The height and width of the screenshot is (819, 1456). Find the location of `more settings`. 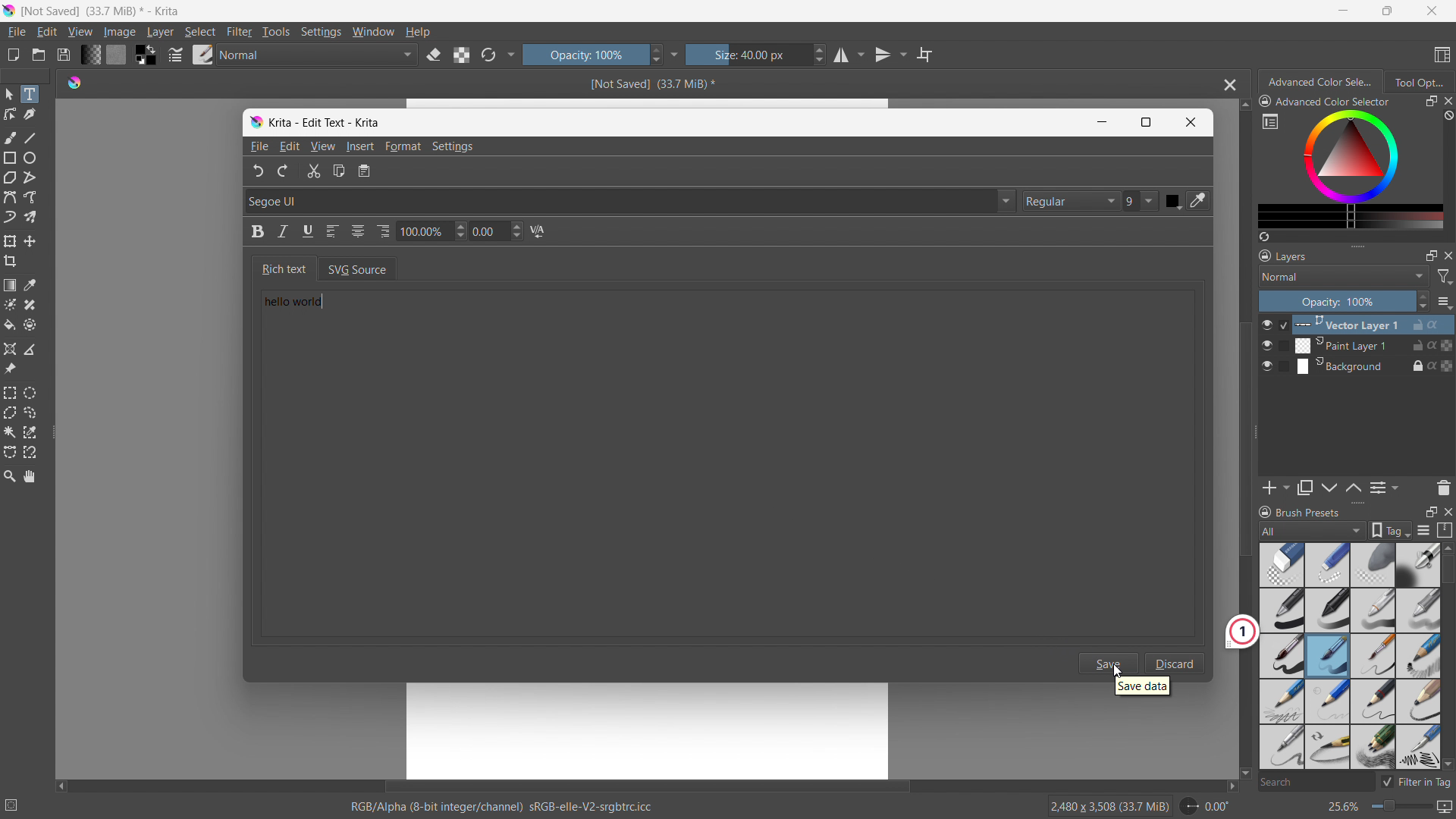

more settings is located at coordinates (512, 53).